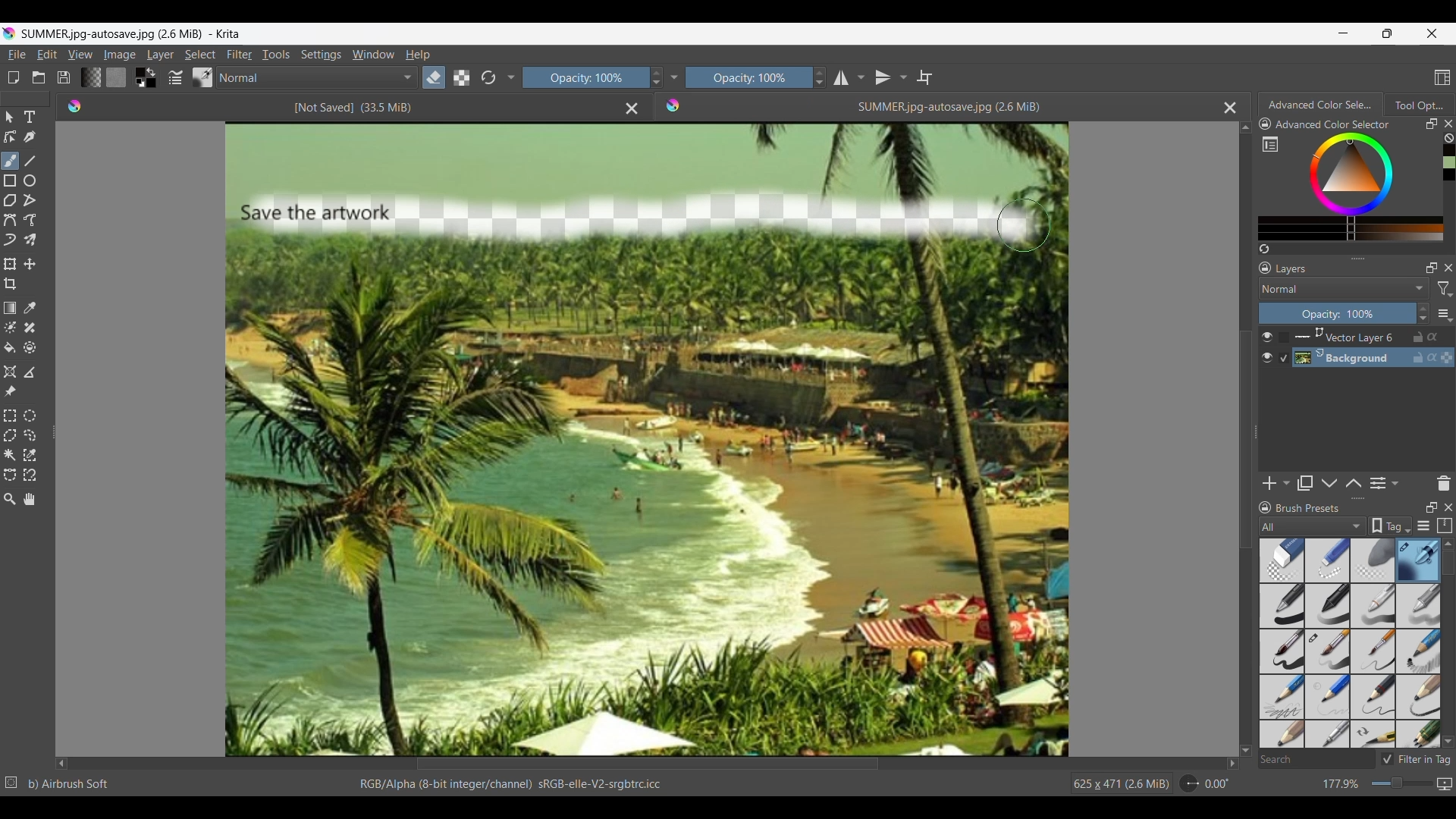 The height and width of the screenshot is (819, 1456). What do you see at coordinates (240, 55) in the screenshot?
I see `Filter` at bounding box center [240, 55].